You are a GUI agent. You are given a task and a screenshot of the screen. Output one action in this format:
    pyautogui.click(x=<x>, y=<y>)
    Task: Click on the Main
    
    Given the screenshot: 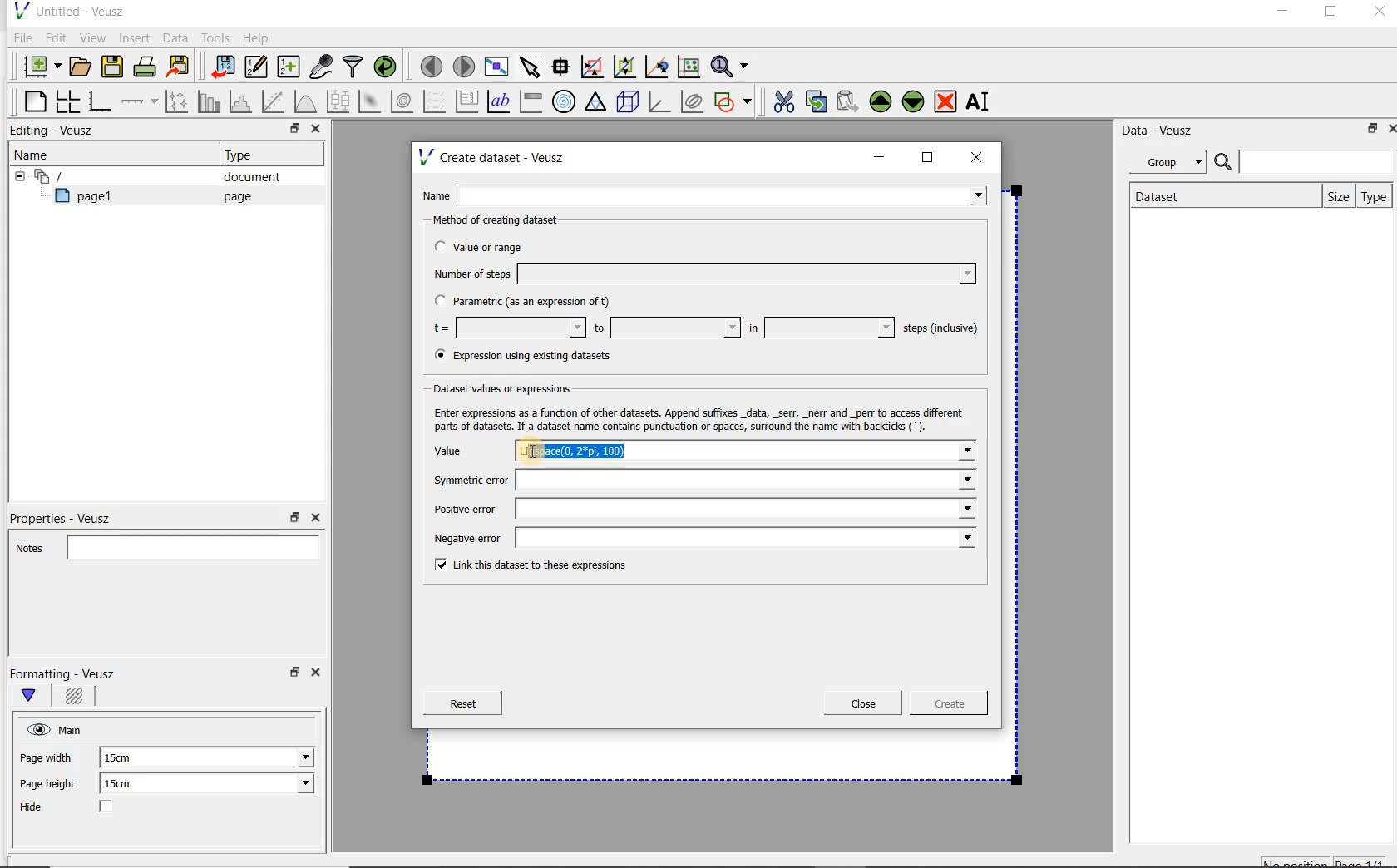 What is the action you would take?
    pyautogui.click(x=73, y=728)
    